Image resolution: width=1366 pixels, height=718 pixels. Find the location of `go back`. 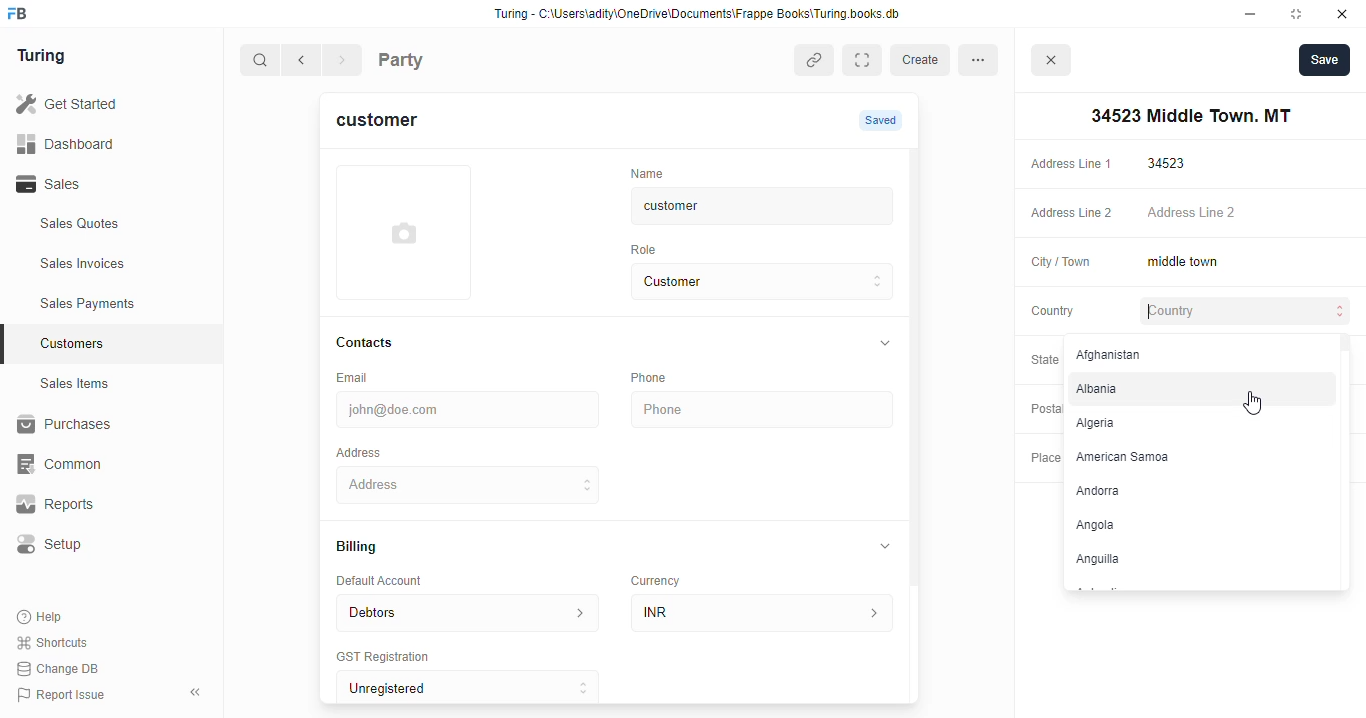

go back is located at coordinates (305, 61).